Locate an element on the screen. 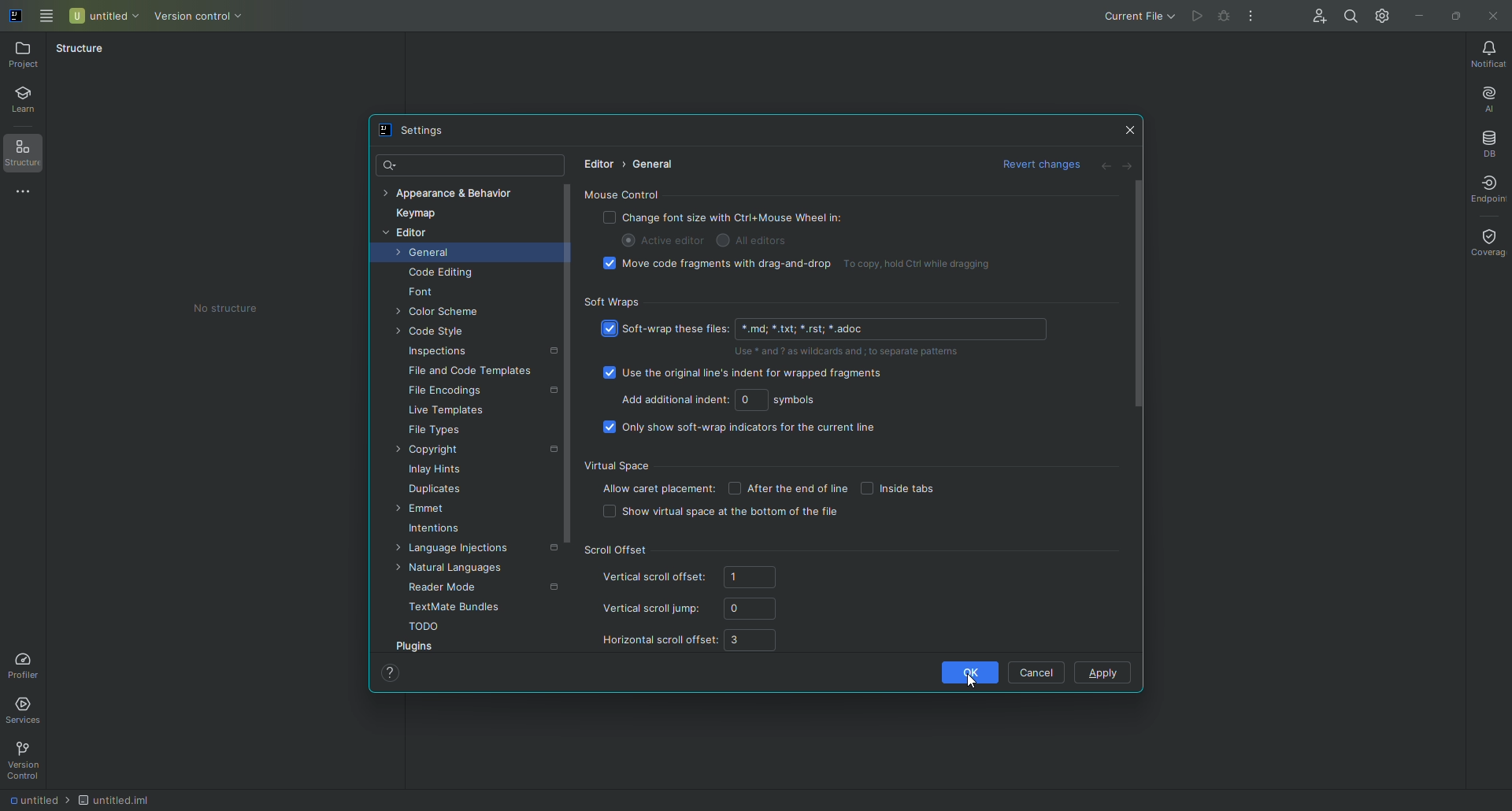 This screenshot has width=1512, height=811. Cannot run file is located at coordinates (1196, 14).